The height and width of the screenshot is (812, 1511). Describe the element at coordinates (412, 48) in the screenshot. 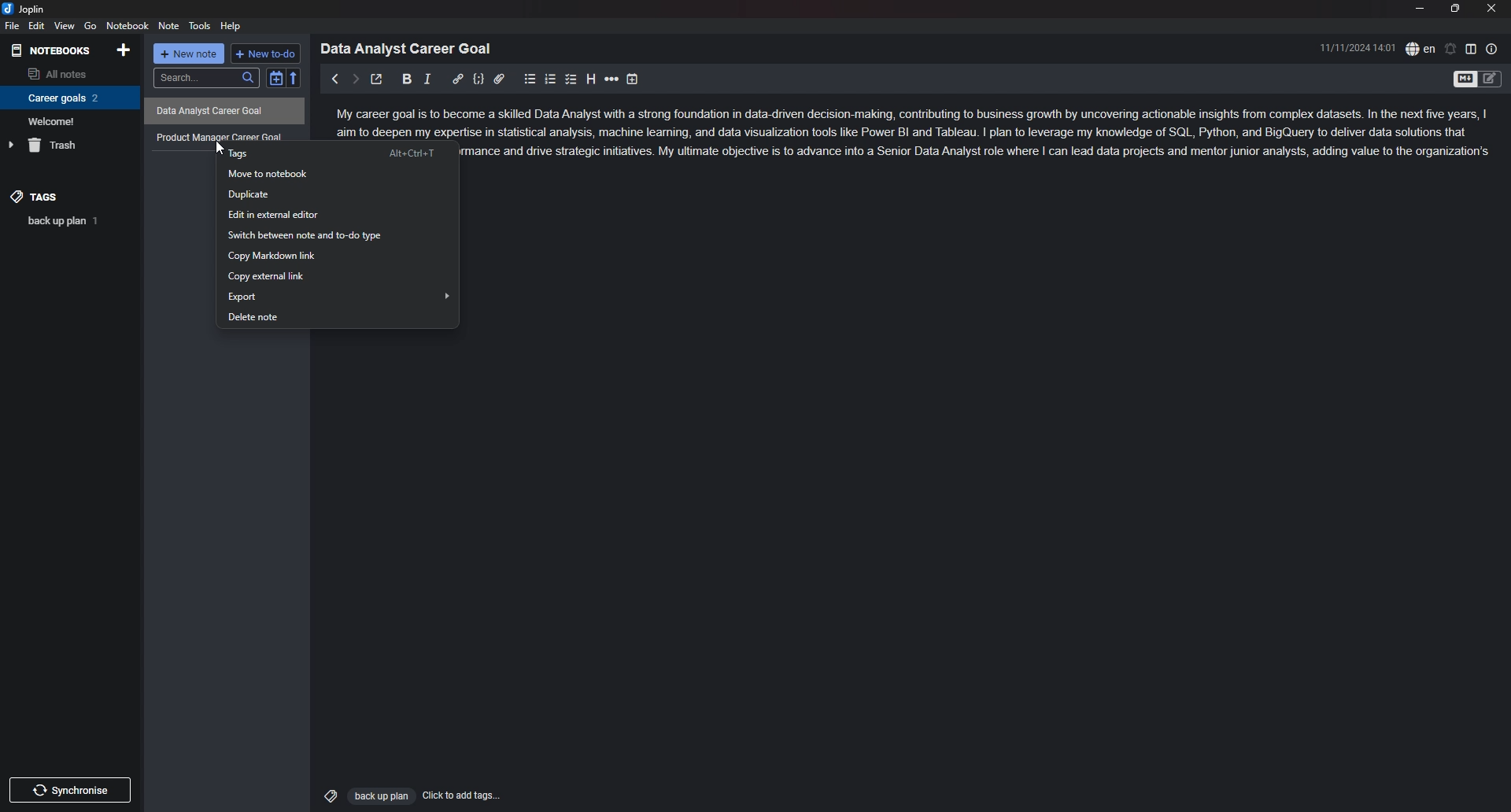

I see `Data Analyst Career Goal` at that location.